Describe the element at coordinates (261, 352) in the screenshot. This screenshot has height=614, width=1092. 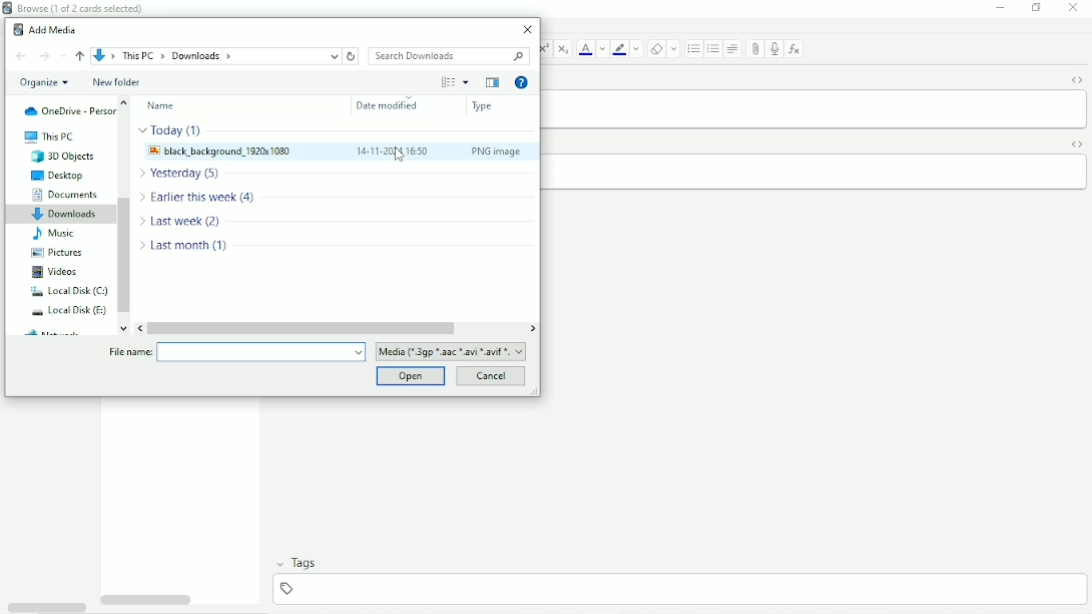
I see `File name` at that location.